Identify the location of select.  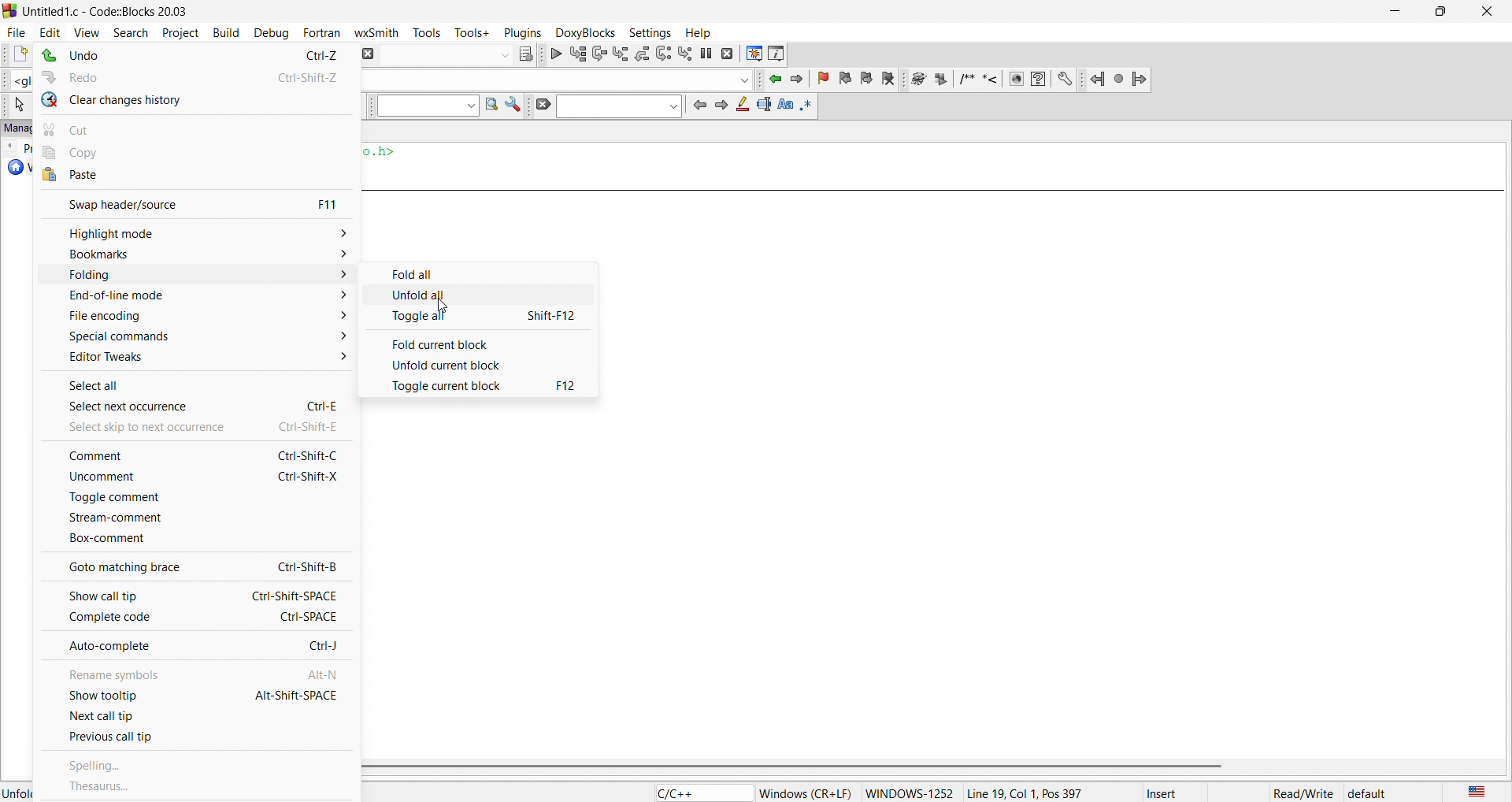
(17, 105).